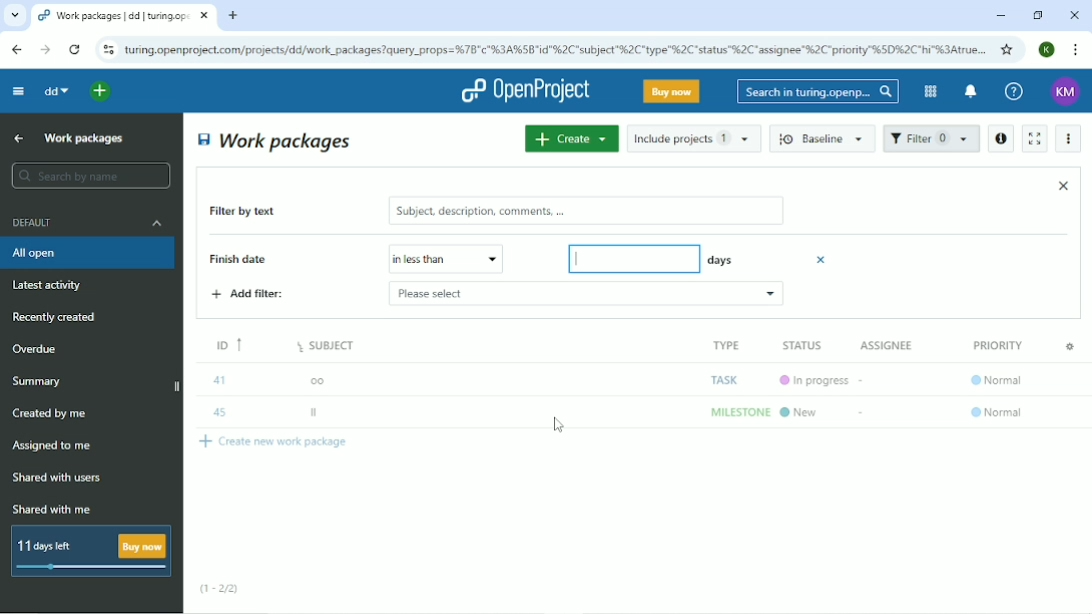  What do you see at coordinates (328, 351) in the screenshot?
I see `Subject` at bounding box center [328, 351].